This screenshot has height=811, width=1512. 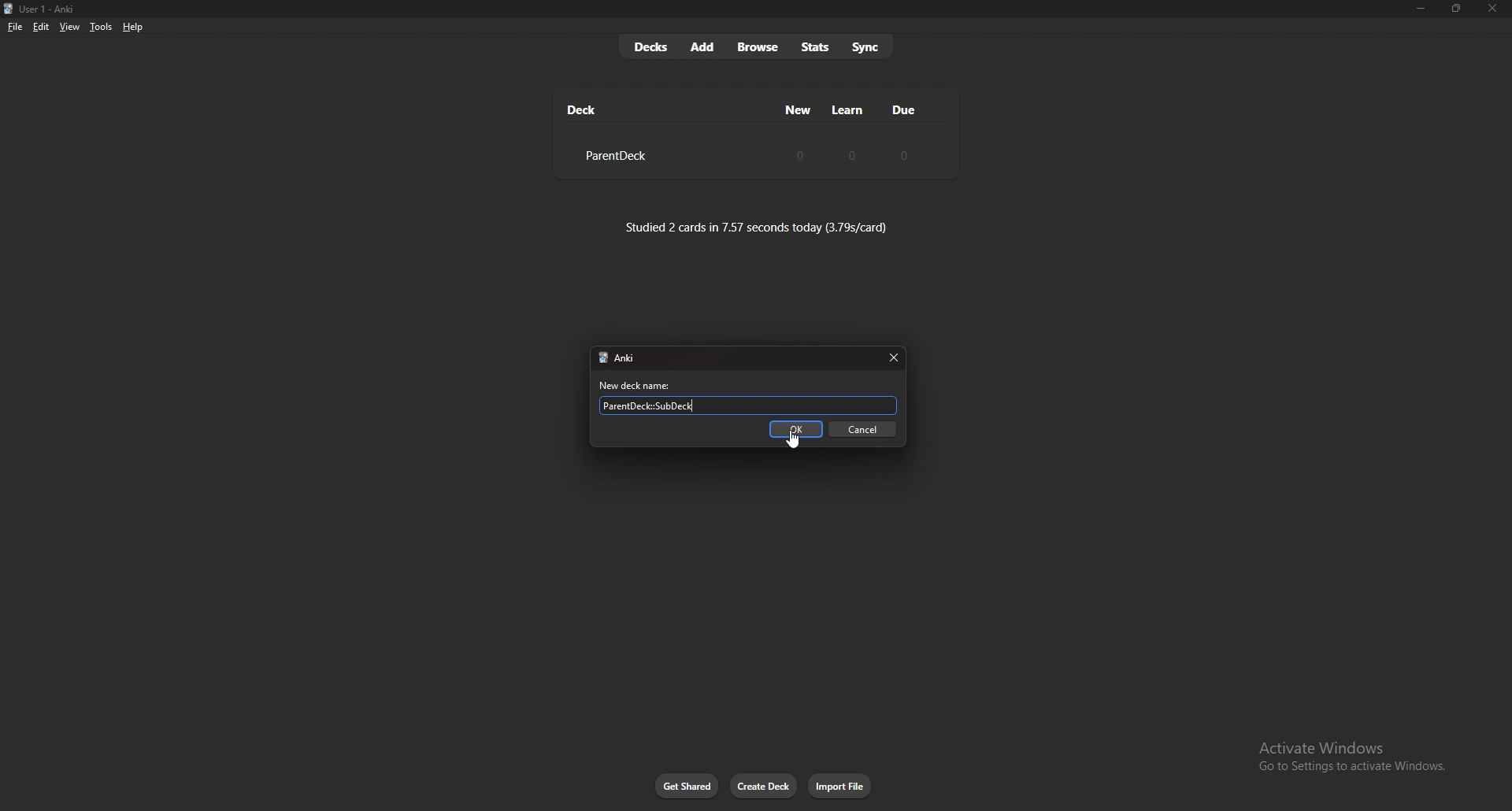 What do you see at coordinates (902, 109) in the screenshot?
I see `due` at bounding box center [902, 109].